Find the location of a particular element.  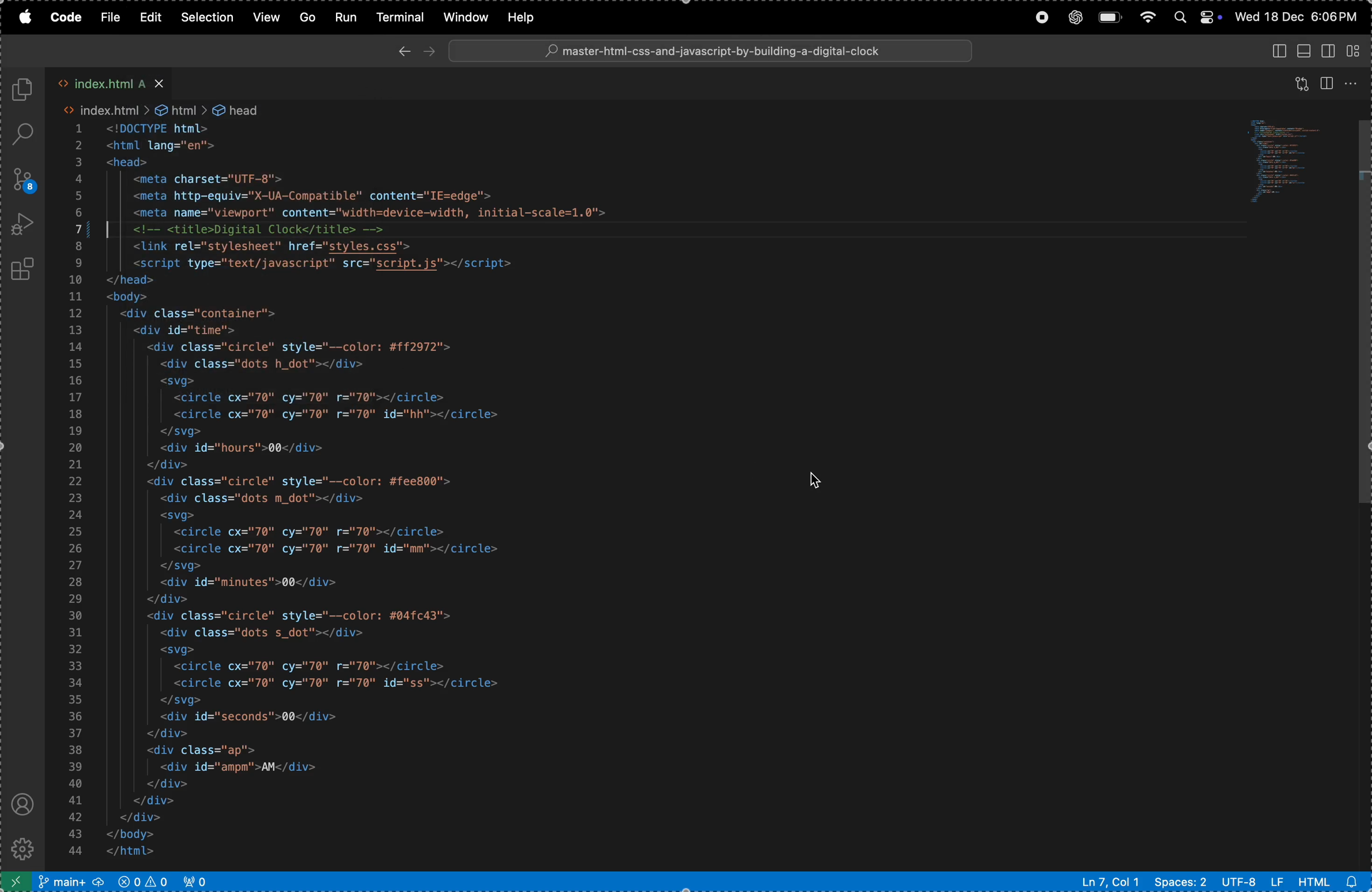

Go is located at coordinates (306, 18).